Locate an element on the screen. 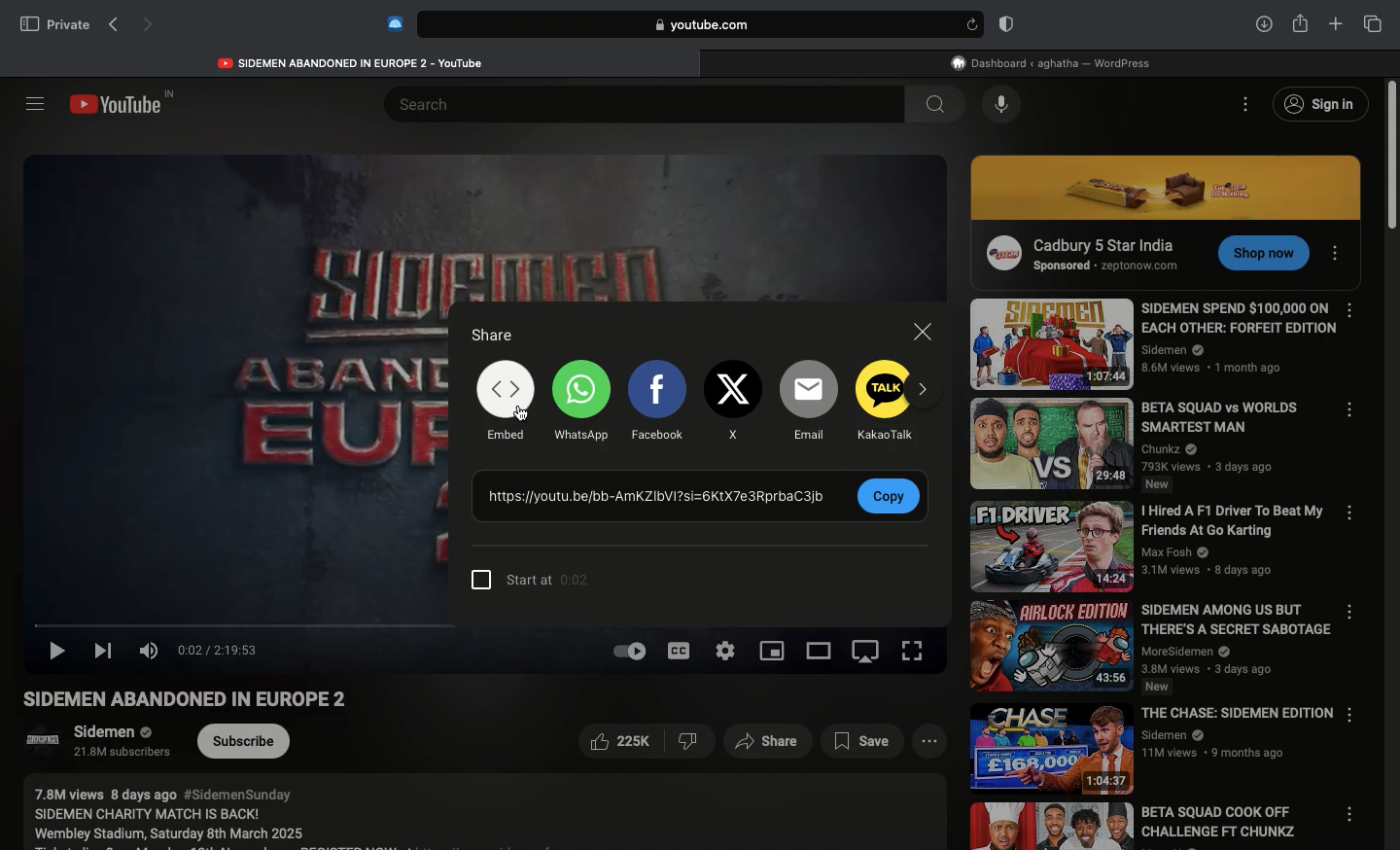  Share is located at coordinates (769, 742).